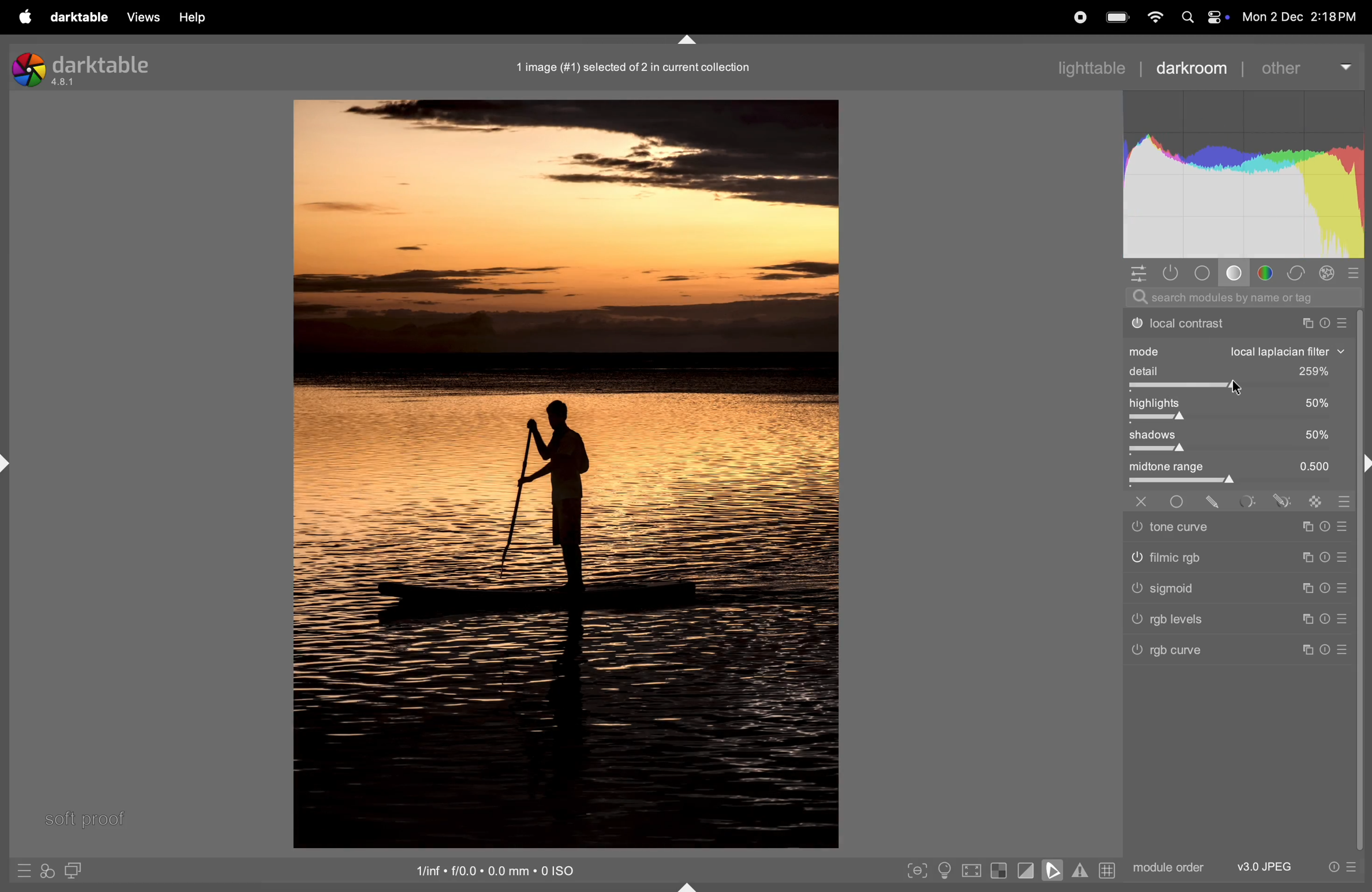 The image size is (1372, 892). I want to click on display second image, so click(74, 870).